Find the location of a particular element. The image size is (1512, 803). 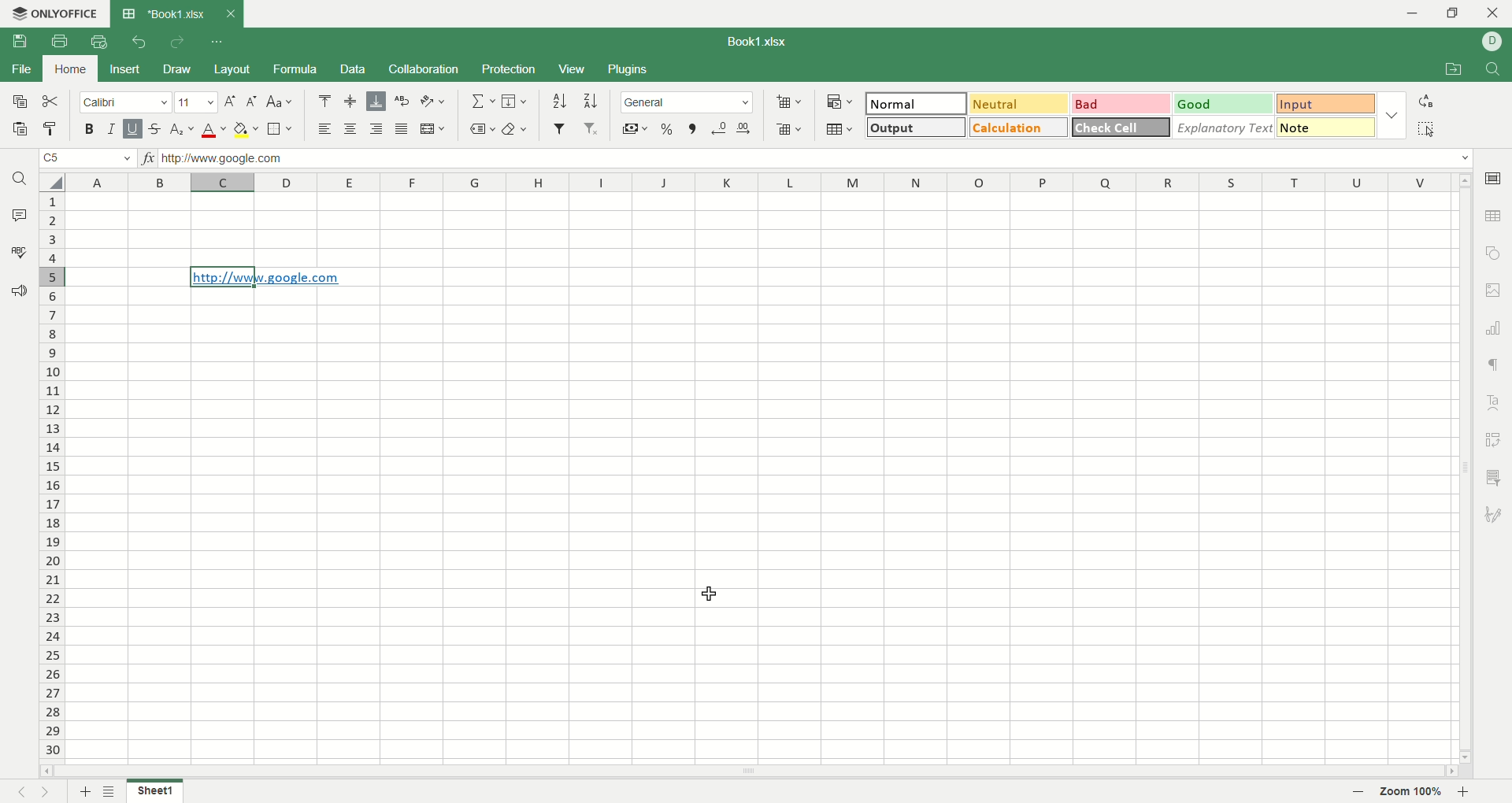

italics is located at coordinates (109, 128).